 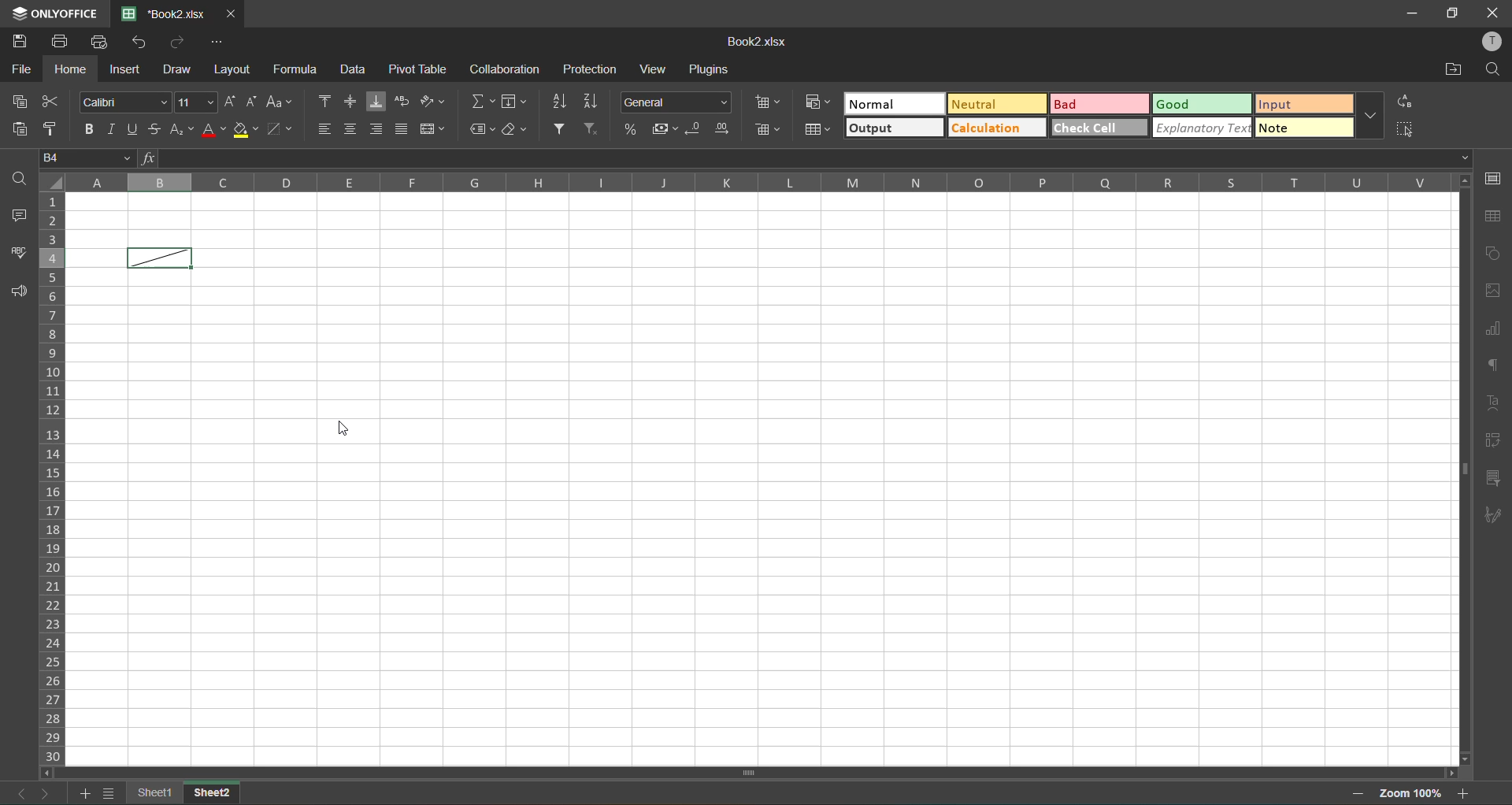 I want to click on zoom in, so click(x=1463, y=793).